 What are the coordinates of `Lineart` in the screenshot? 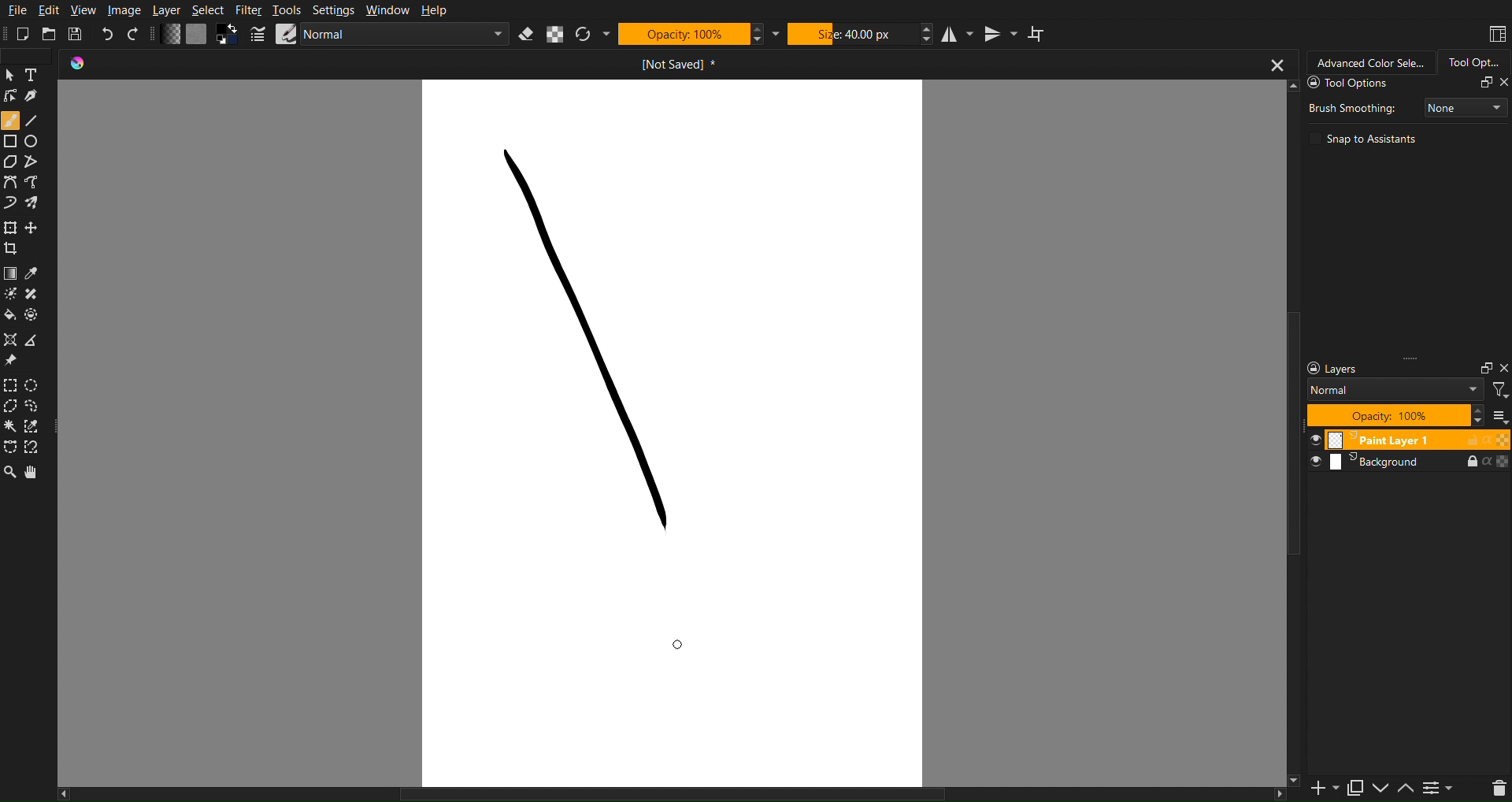 It's located at (37, 98).